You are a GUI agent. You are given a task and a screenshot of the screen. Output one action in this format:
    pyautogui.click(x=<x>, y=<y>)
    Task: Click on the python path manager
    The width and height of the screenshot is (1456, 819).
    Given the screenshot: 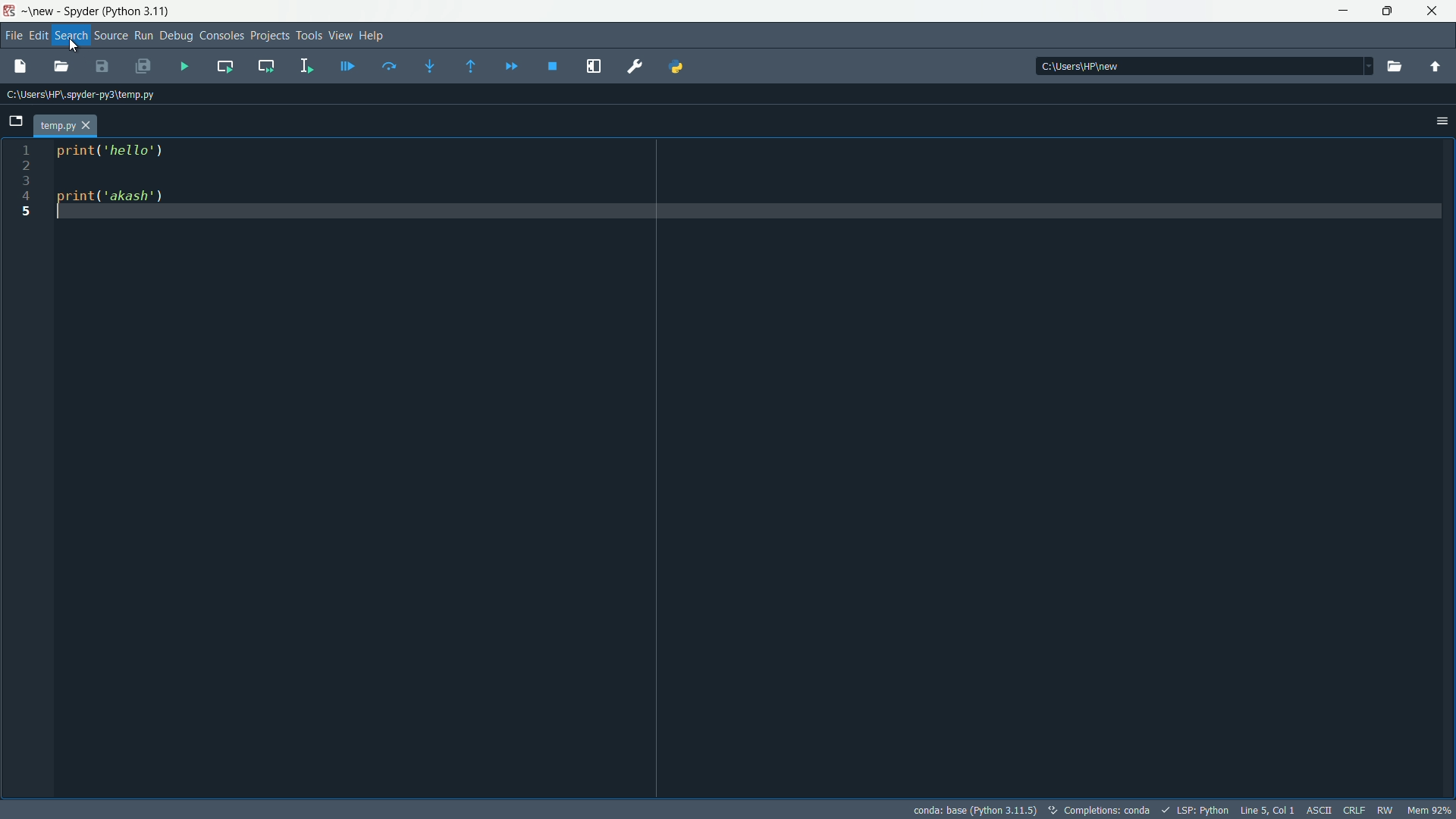 What is the action you would take?
    pyautogui.click(x=676, y=65)
    